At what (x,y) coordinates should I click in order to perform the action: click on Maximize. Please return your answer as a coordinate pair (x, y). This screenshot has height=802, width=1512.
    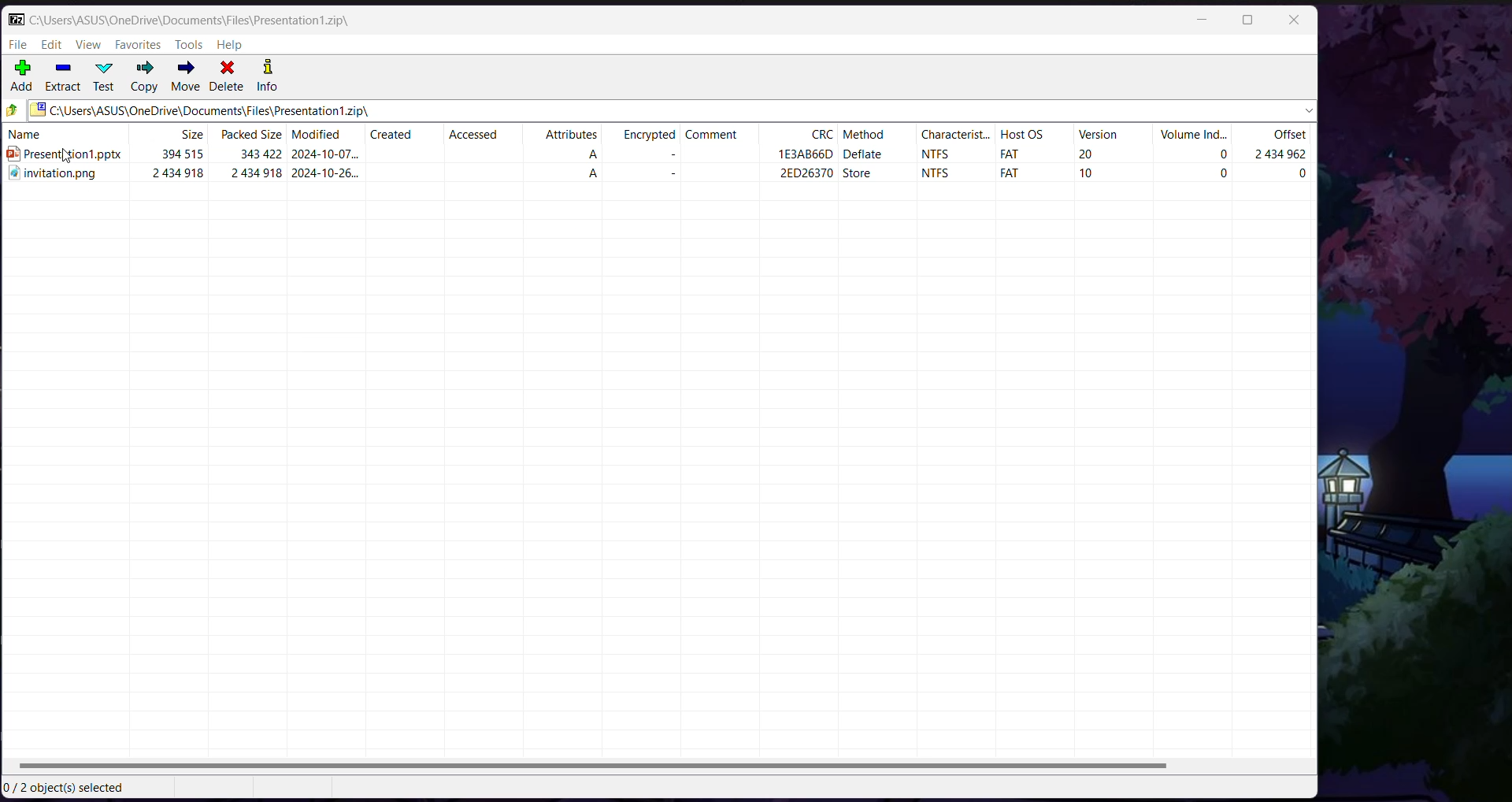
    Looking at the image, I should click on (1248, 20).